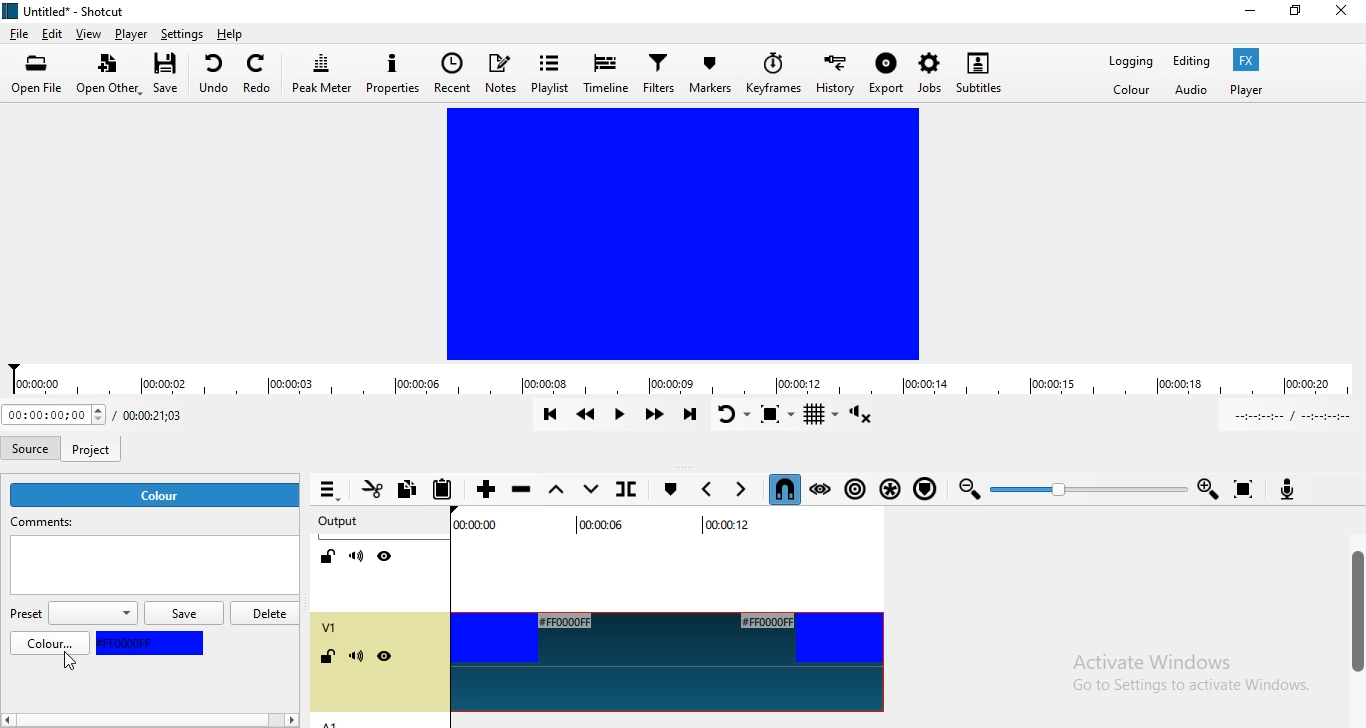  I want to click on Paste , so click(447, 490).